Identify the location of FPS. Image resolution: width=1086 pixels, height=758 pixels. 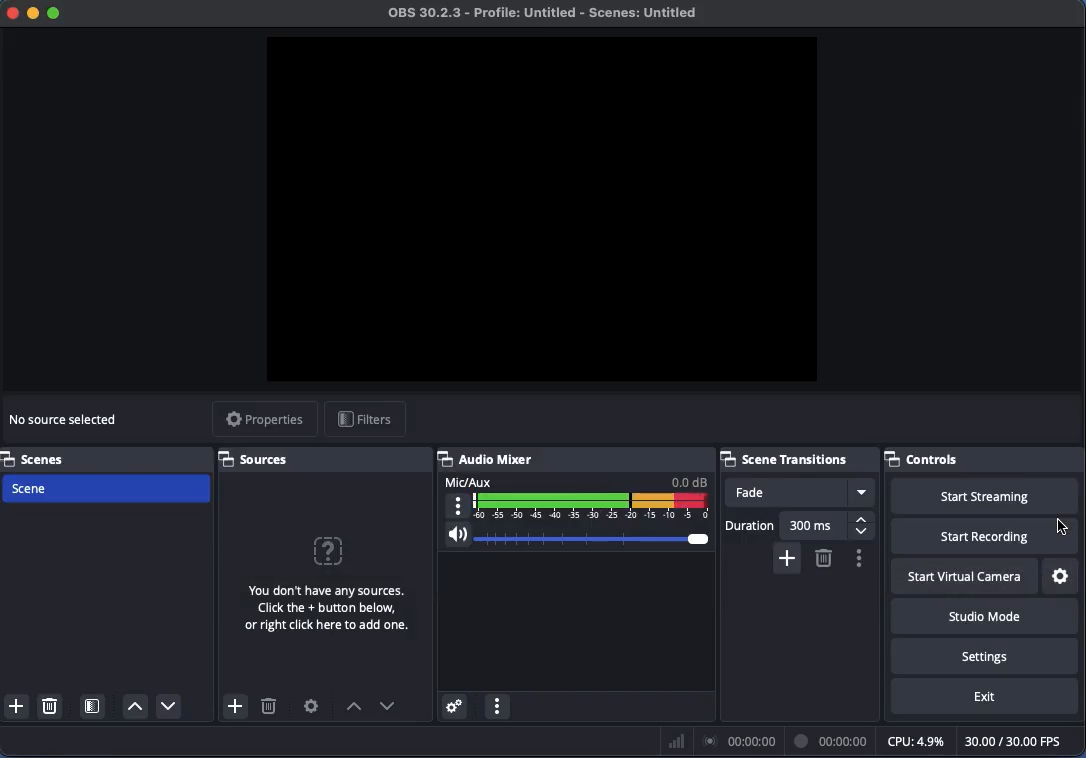
(1022, 741).